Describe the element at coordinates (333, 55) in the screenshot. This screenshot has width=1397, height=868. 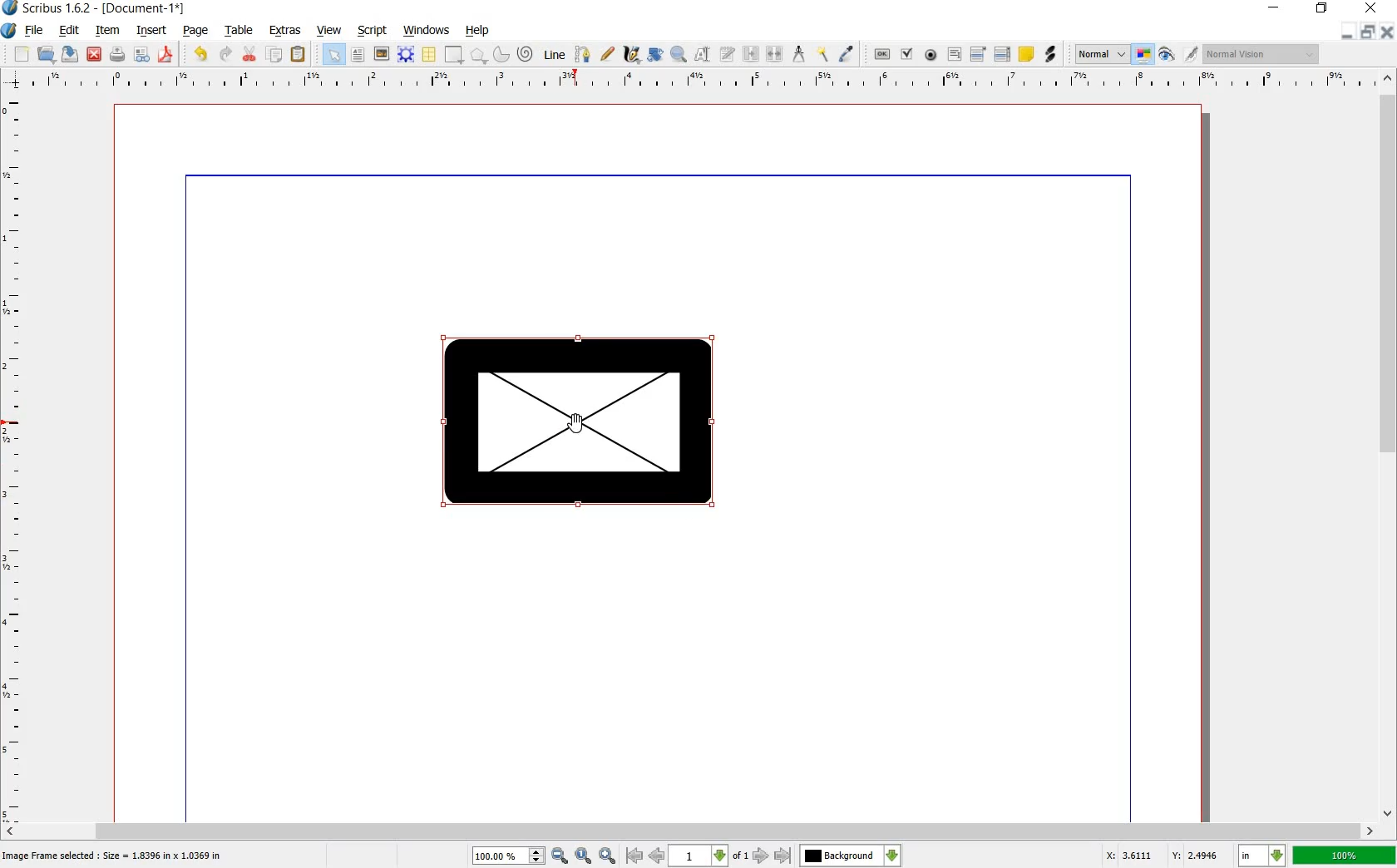
I see `select all` at that location.